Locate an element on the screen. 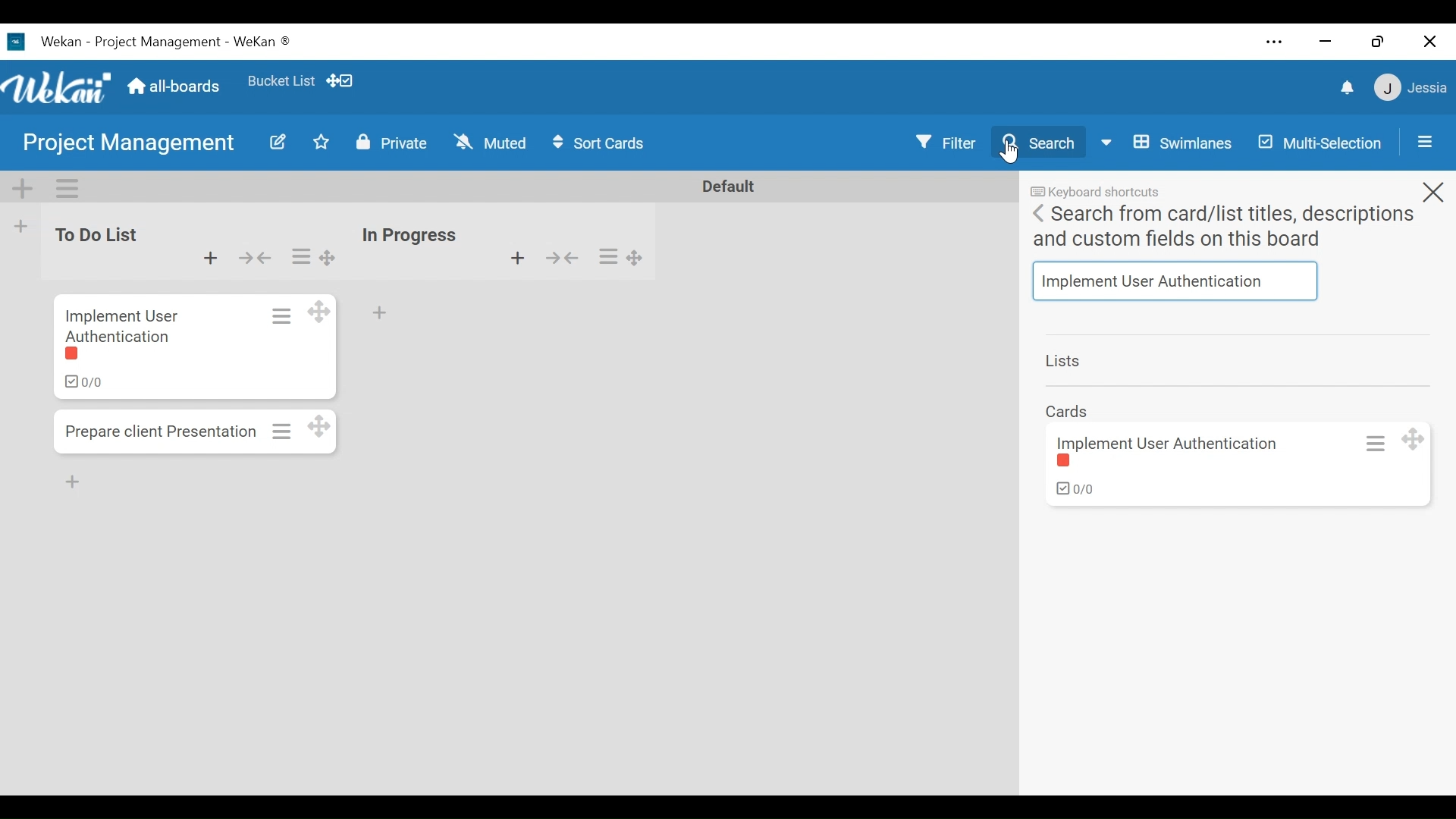  ckecklist is located at coordinates (1072, 492).